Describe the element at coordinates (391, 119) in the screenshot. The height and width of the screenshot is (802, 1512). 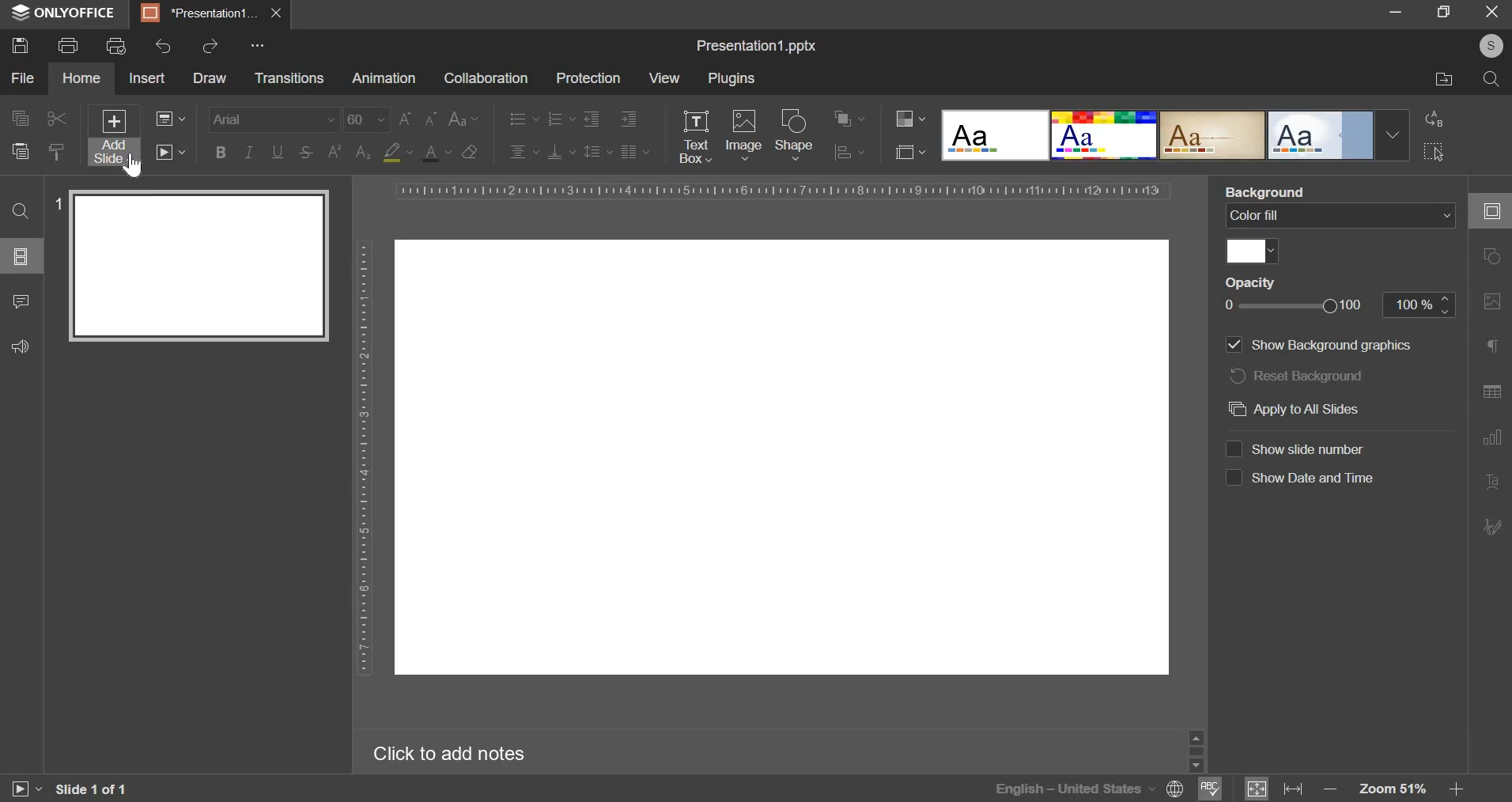
I see `font size` at that location.